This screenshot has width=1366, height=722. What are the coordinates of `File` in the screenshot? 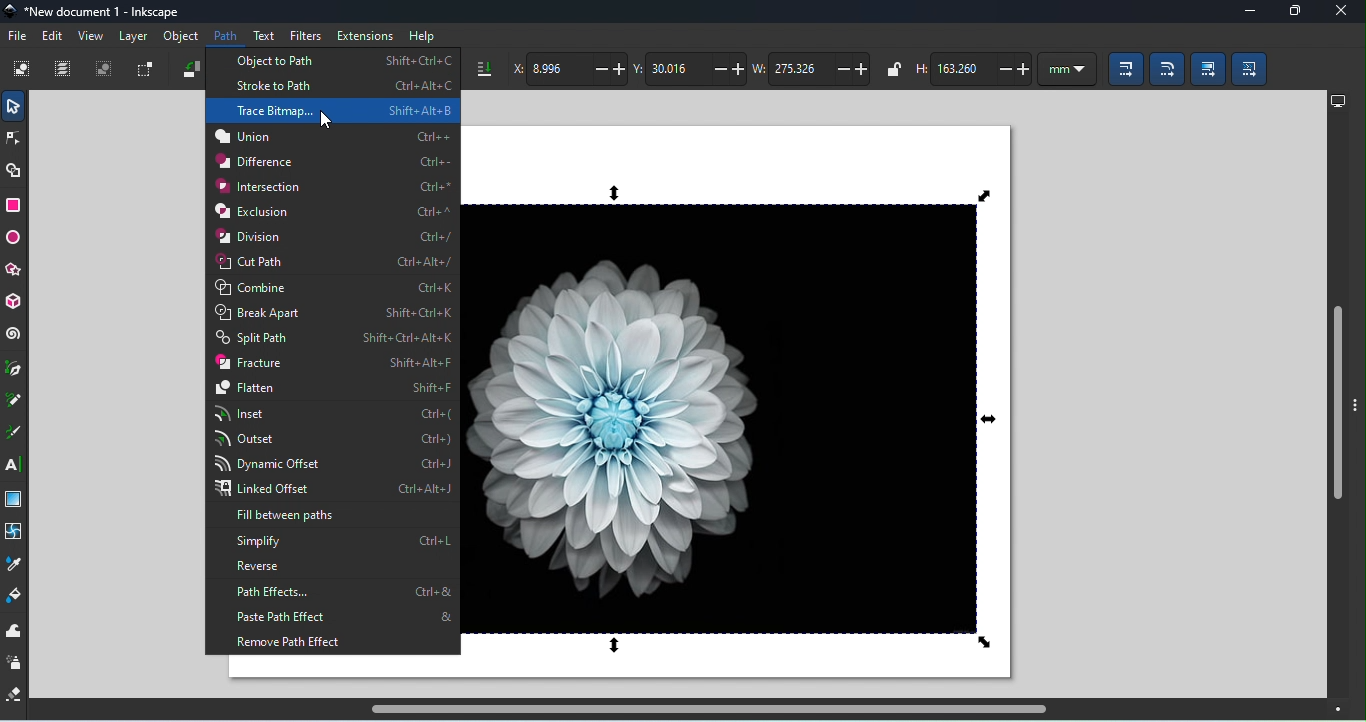 It's located at (17, 34).